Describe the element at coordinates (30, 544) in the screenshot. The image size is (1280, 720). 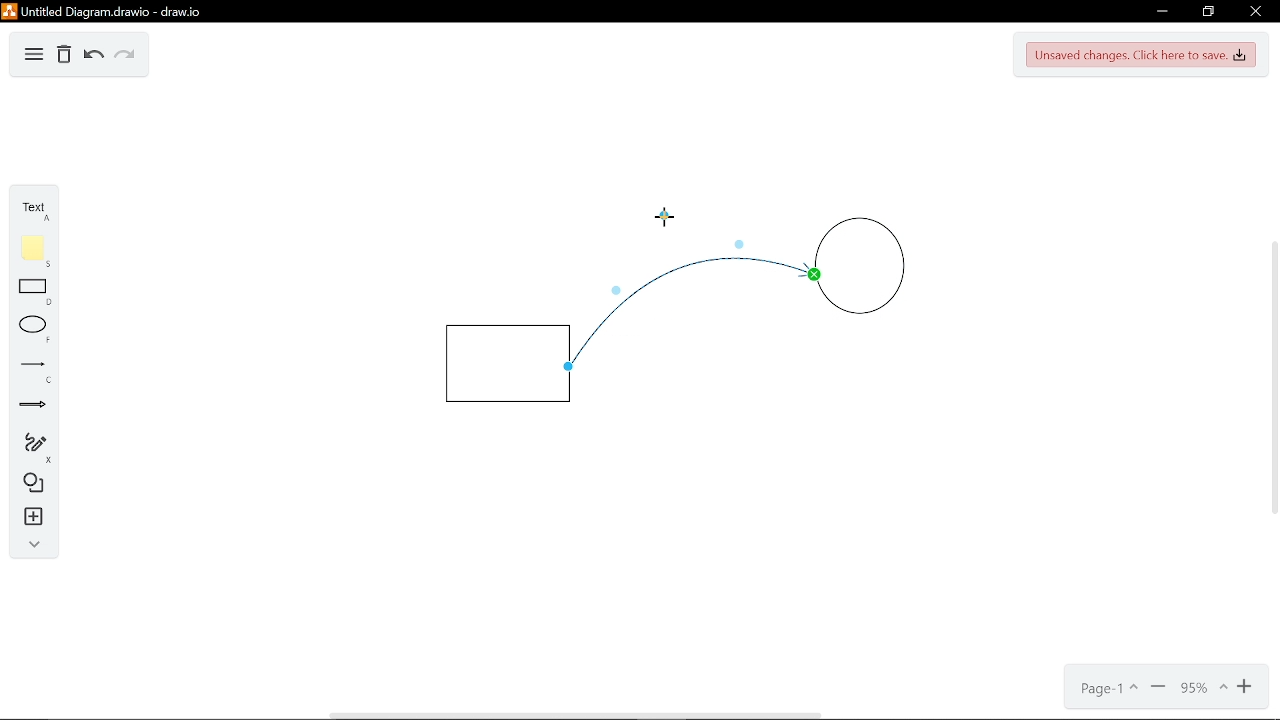
I see `Collapse` at that location.